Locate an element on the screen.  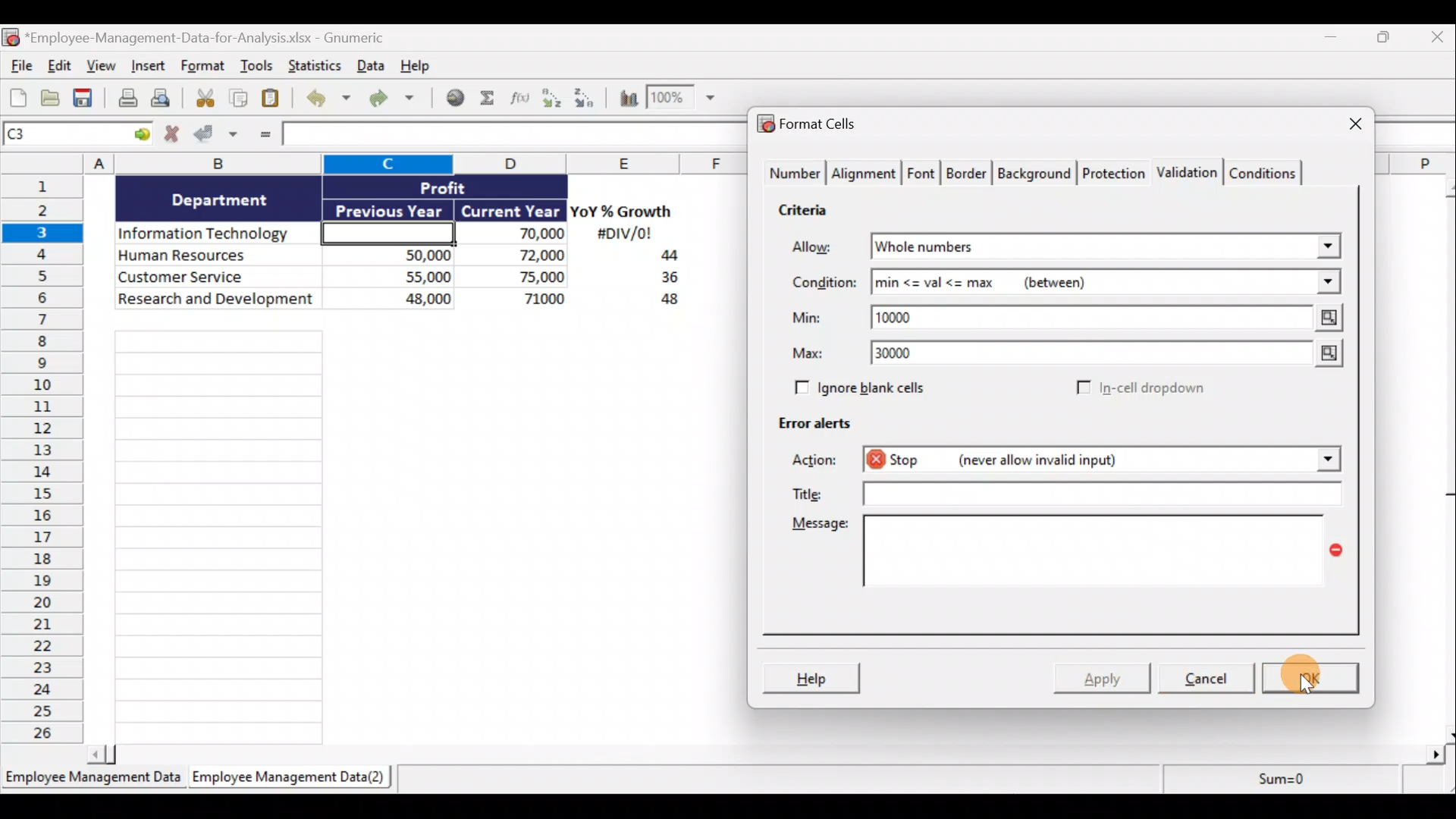
Sum=0 is located at coordinates (1275, 783).